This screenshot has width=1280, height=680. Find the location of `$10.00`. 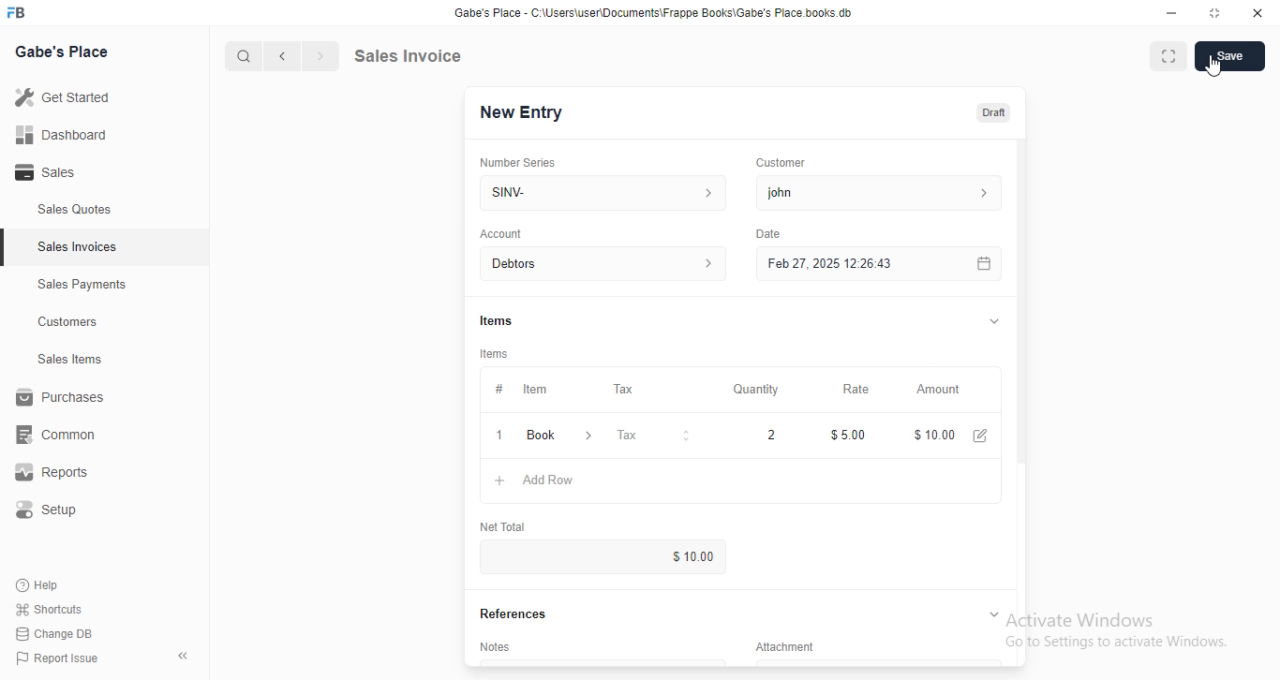

$10.00 is located at coordinates (700, 555).